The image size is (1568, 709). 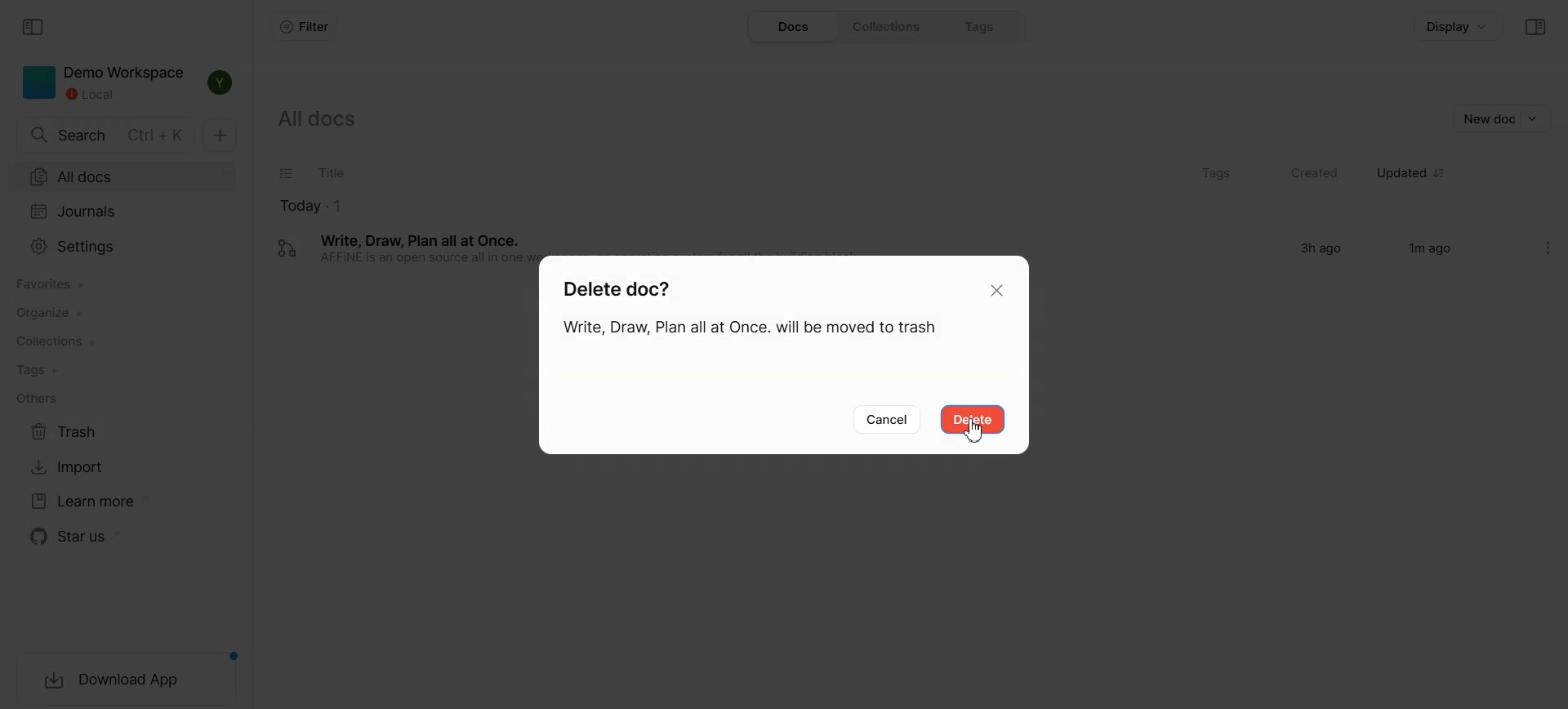 What do you see at coordinates (1501, 118) in the screenshot?
I see `New doc` at bounding box center [1501, 118].